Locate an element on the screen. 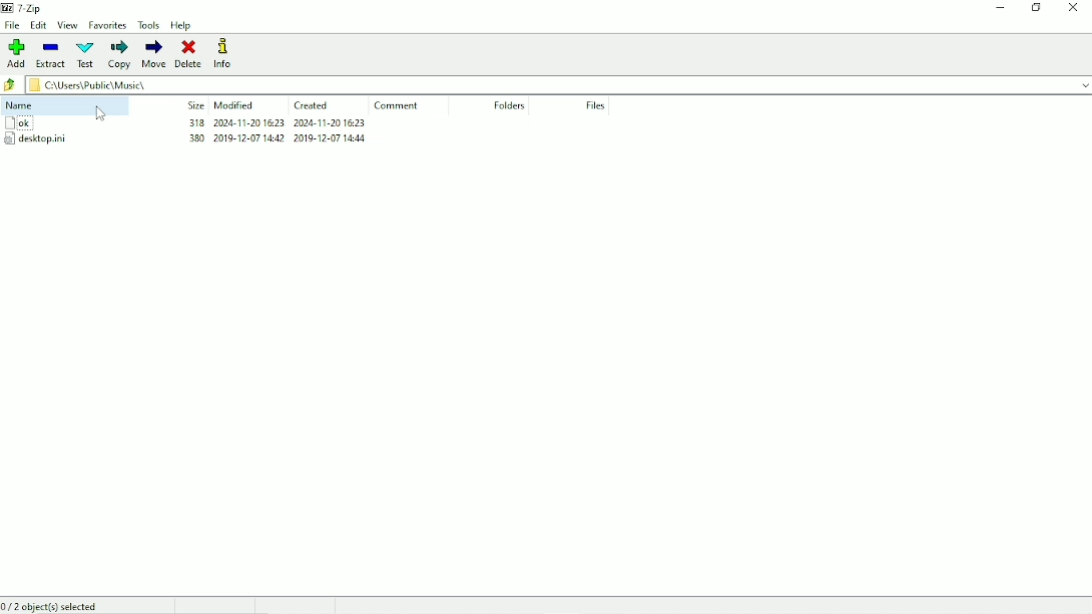 The height and width of the screenshot is (614, 1092). Delete is located at coordinates (190, 54).